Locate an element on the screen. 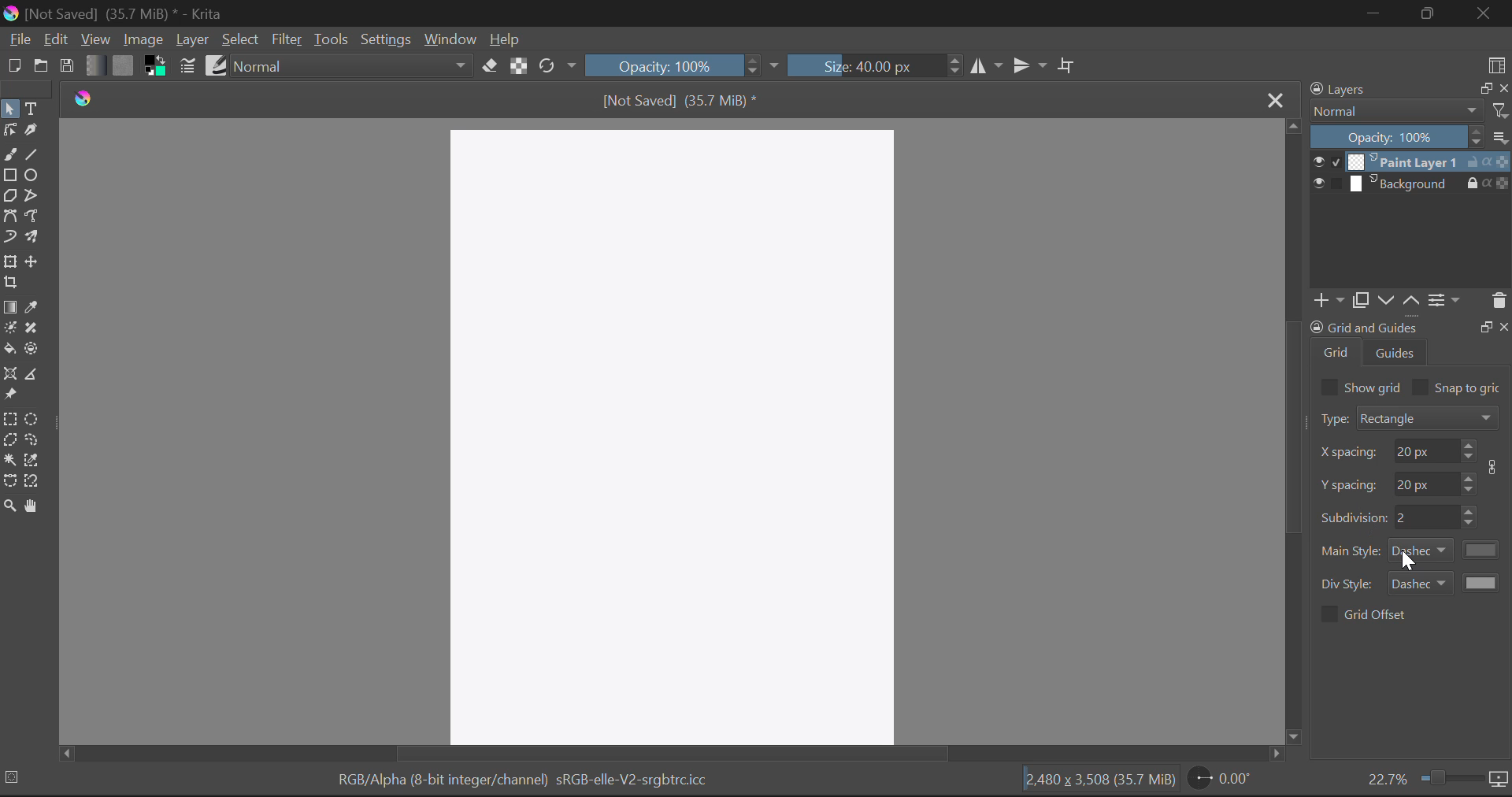 Image resolution: width=1512 pixels, height=797 pixels. Magnetic Curve Selection is located at coordinates (34, 482).